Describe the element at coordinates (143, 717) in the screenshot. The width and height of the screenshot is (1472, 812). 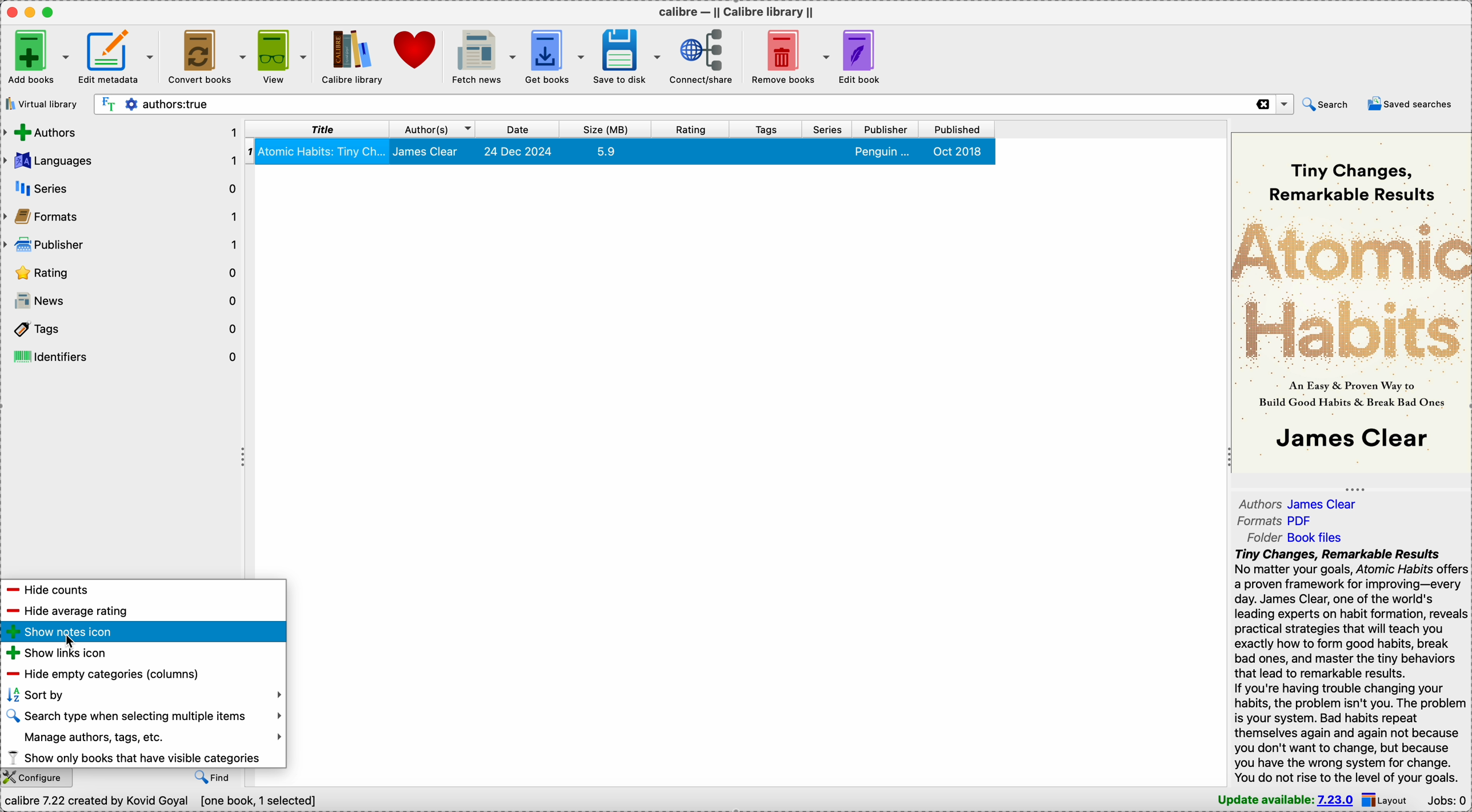
I see `search type when selecting multiple items` at that location.